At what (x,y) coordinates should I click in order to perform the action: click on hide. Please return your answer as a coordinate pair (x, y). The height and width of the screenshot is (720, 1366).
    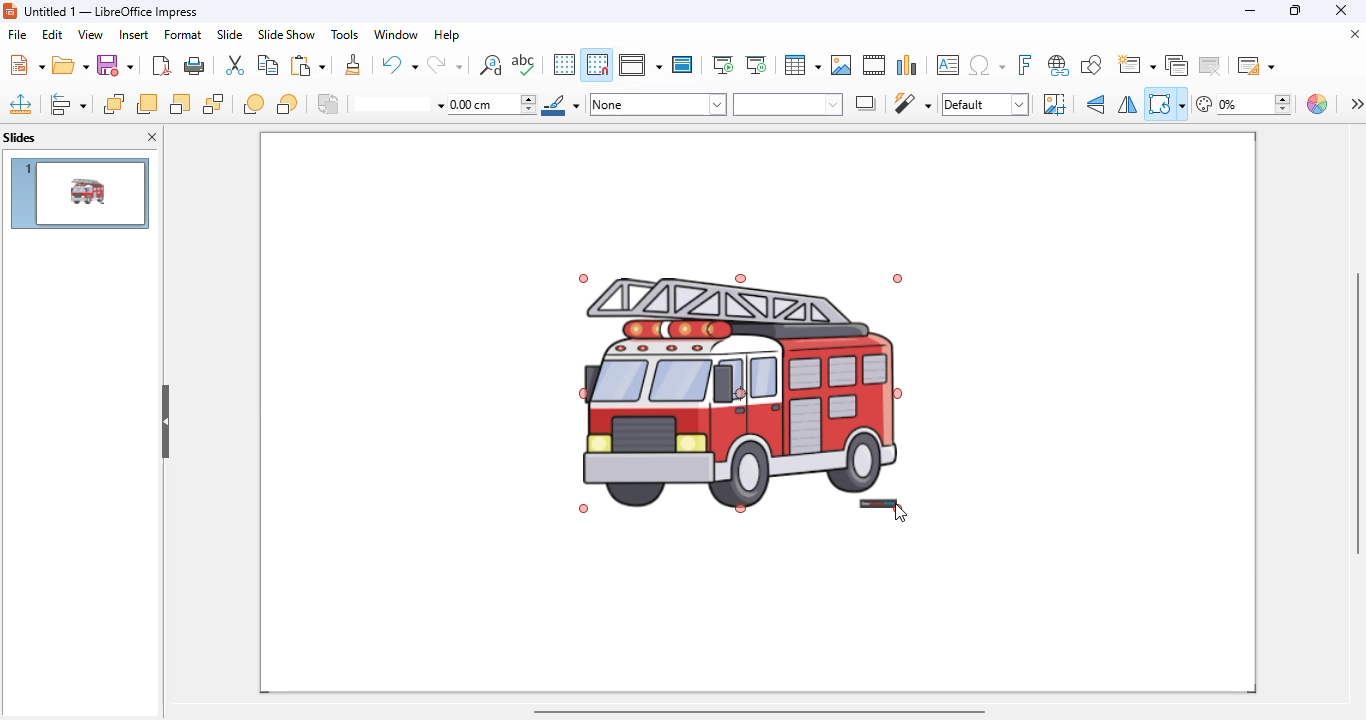
    Looking at the image, I should click on (165, 422).